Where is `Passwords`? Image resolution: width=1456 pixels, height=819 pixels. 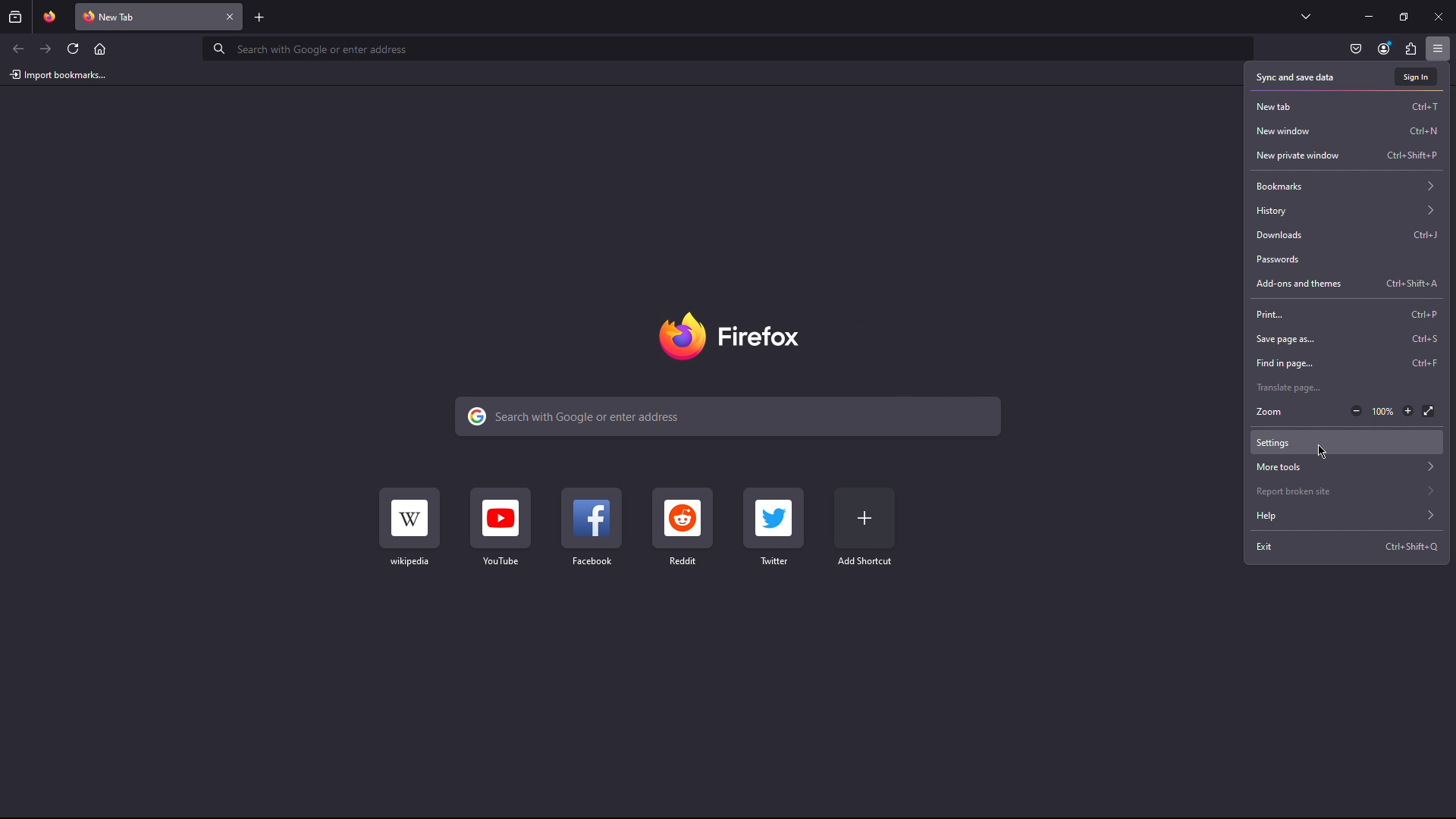
Passwords is located at coordinates (1346, 259).